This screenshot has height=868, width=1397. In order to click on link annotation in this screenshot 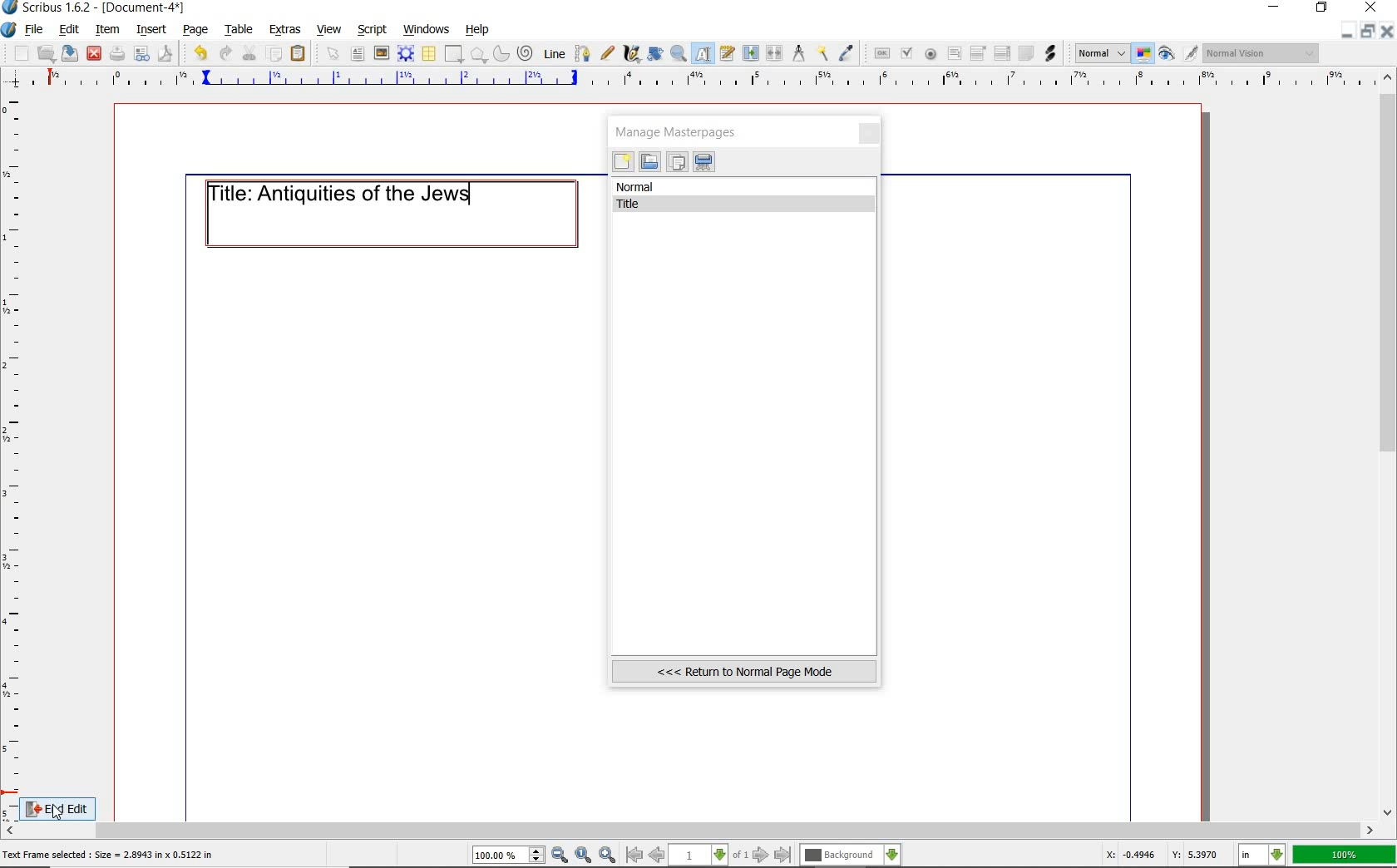, I will do `click(1050, 52)`.